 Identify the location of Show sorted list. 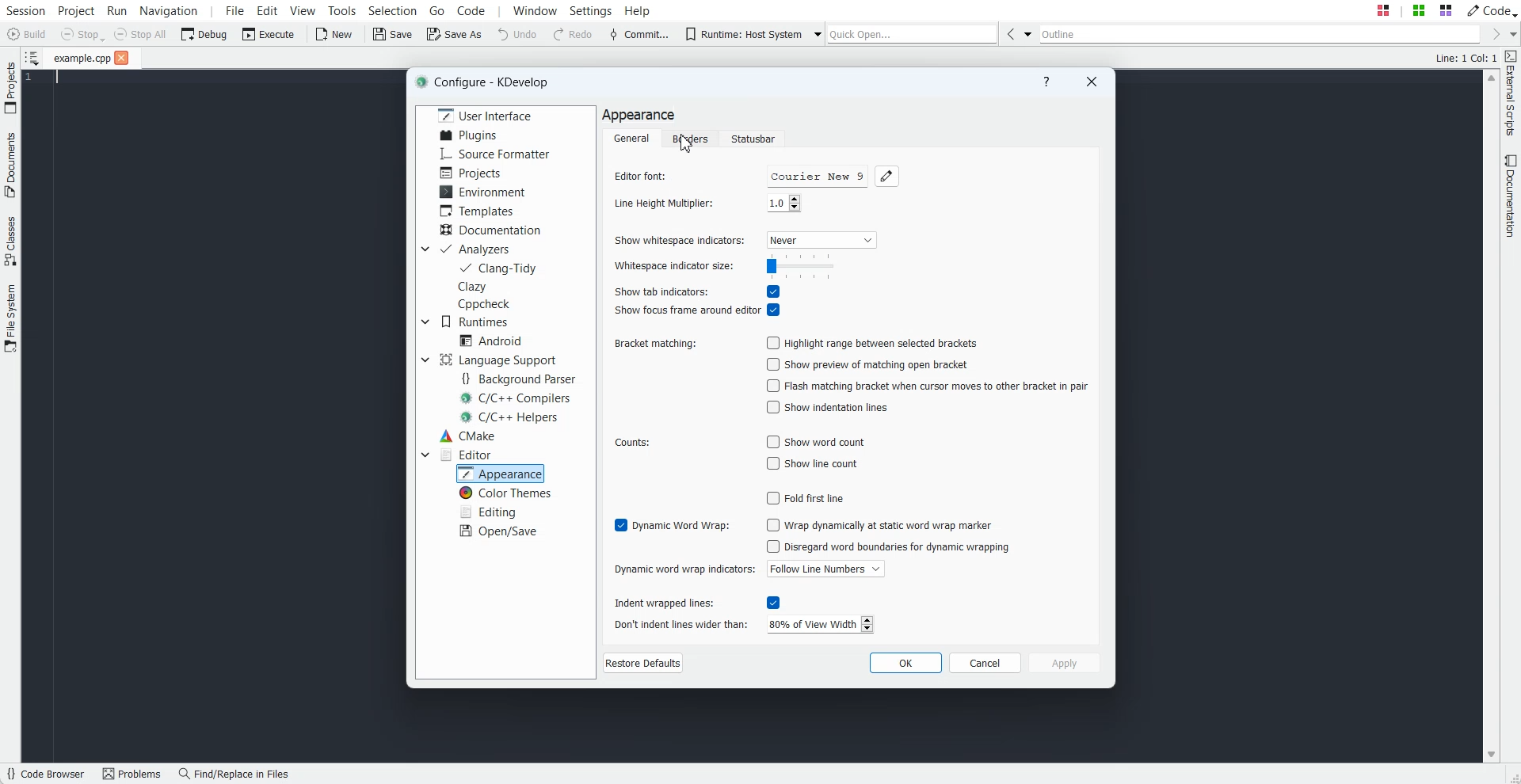
(33, 56).